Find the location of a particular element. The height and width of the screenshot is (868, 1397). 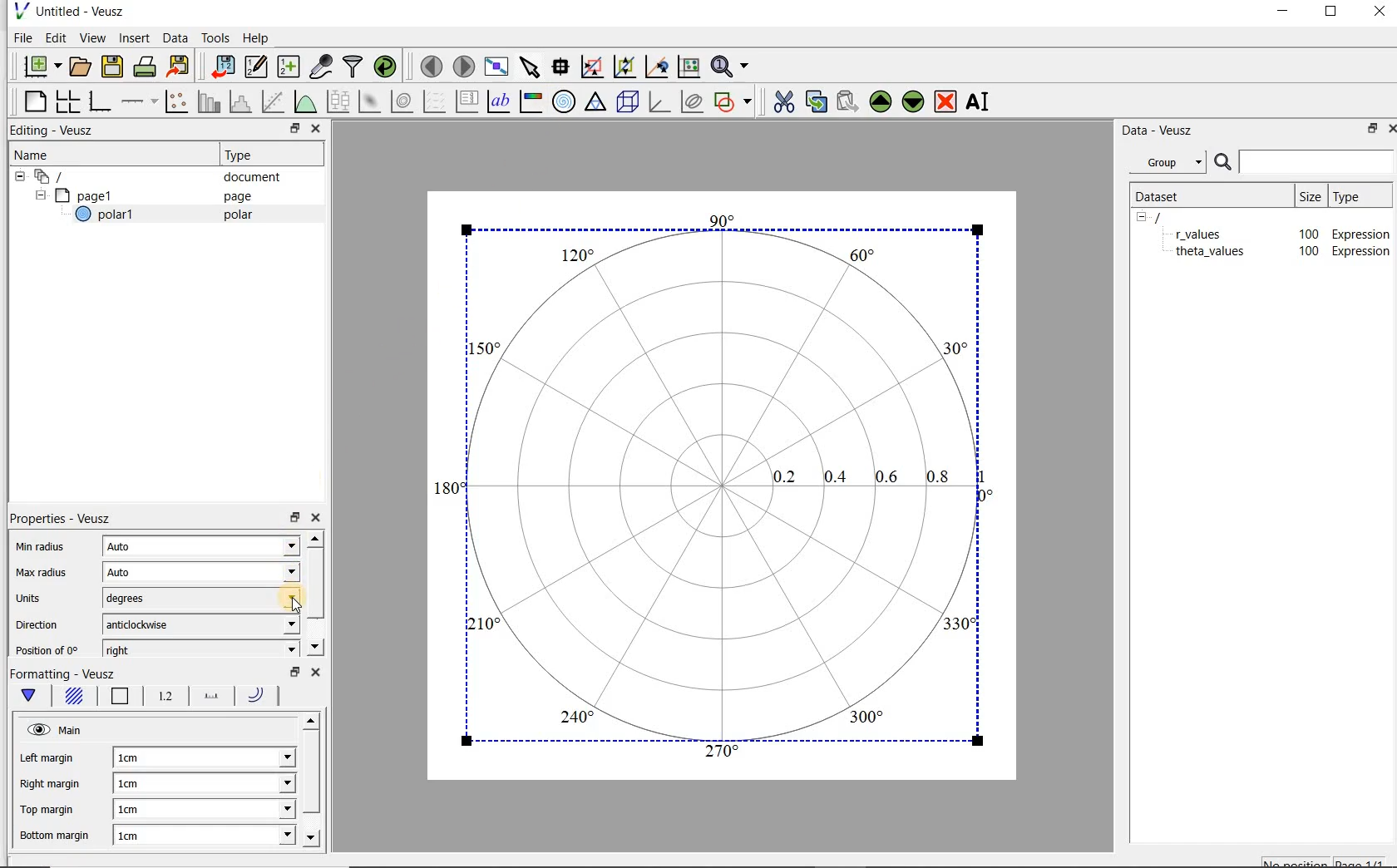

click to reset graph axes is located at coordinates (689, 66).